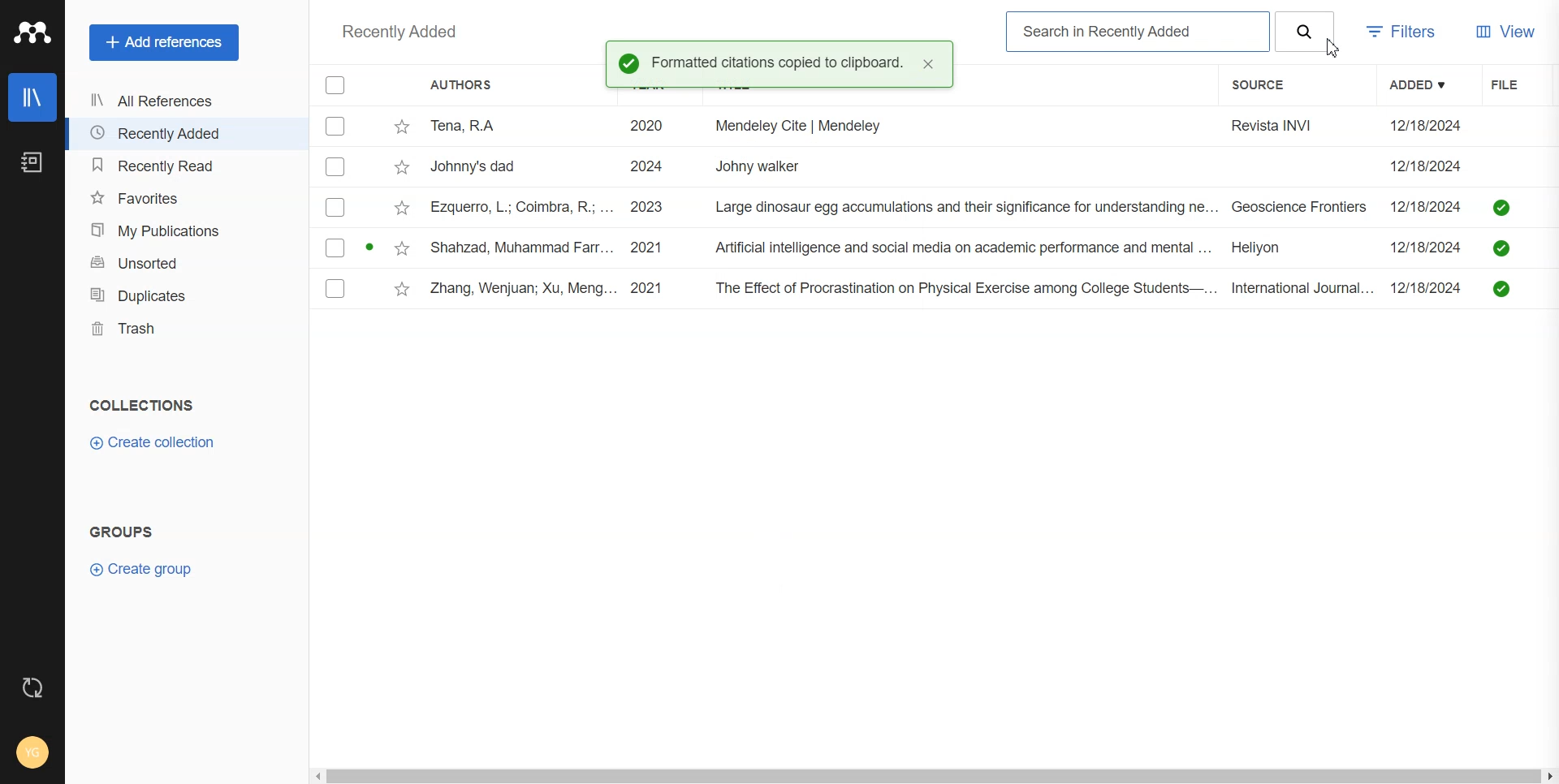  What do you see at coordinates (1427, 126) in the screenshot?
I see `12/18/2024` at bounding box center [1427, 126].